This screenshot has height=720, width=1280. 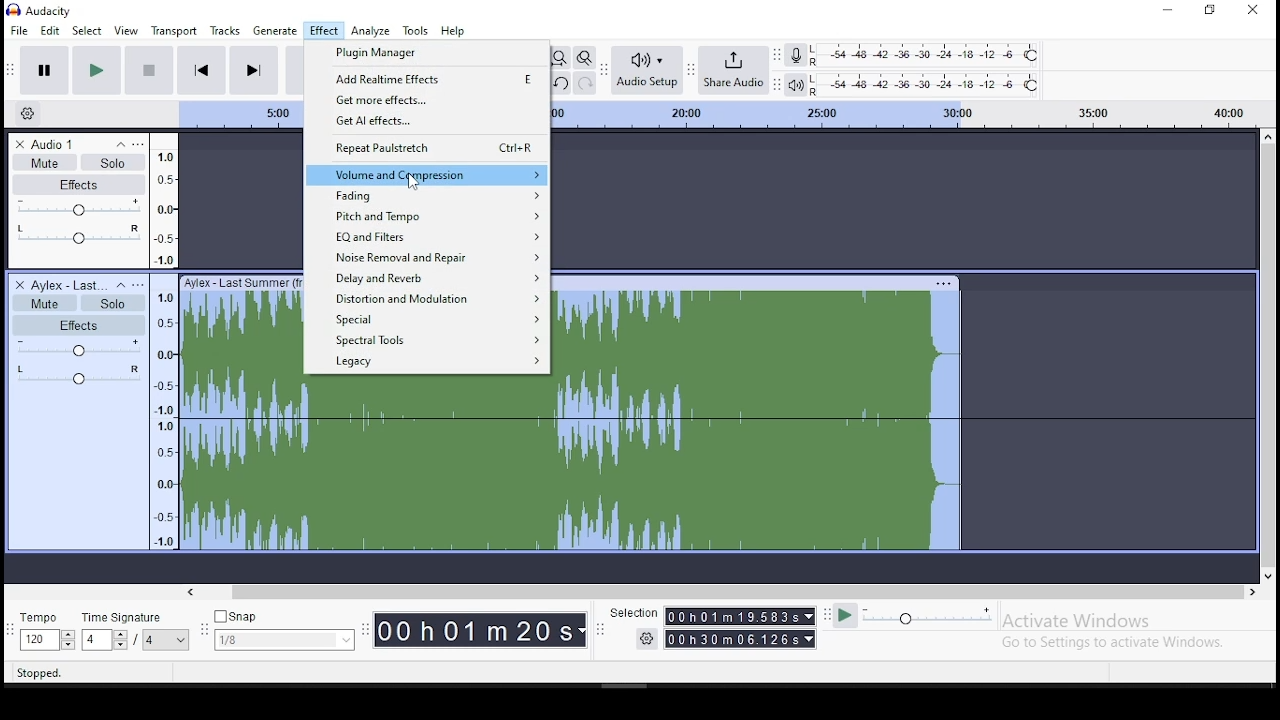 I want to click on legacy, so click(x=433, y=362).